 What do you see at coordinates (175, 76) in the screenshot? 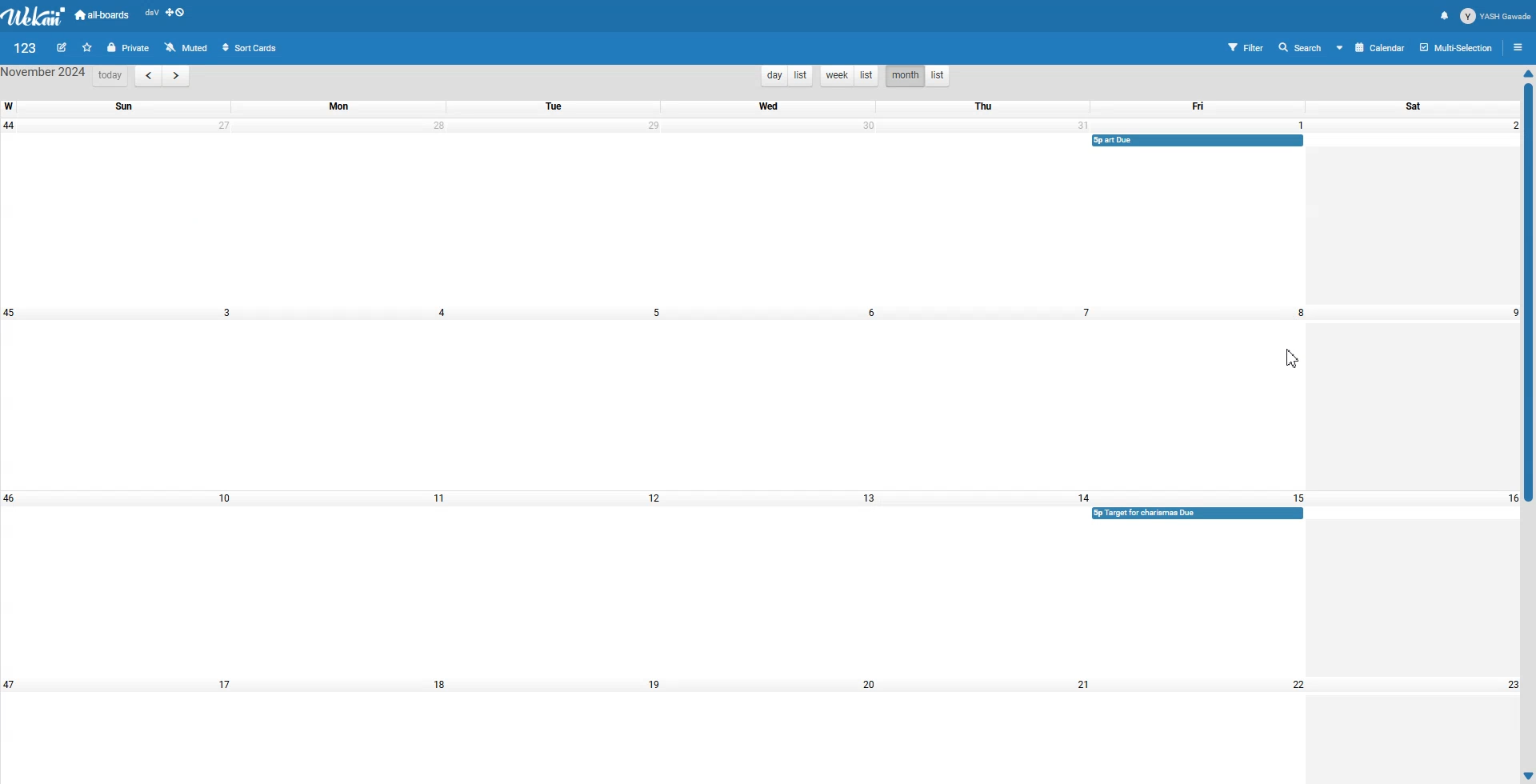
I see `Next Month` at bounding box center [175, 76].